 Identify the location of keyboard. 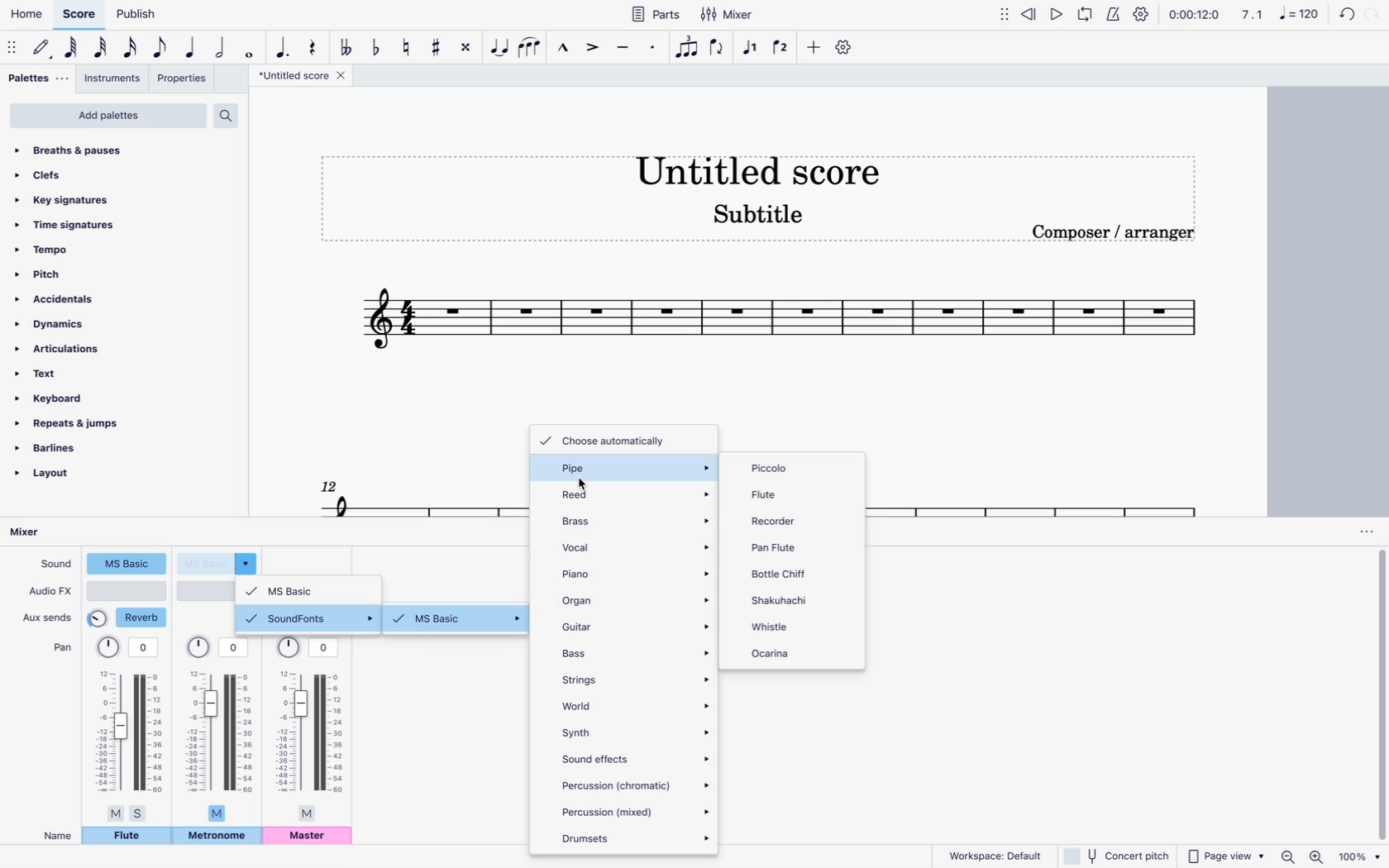
(94, 398).